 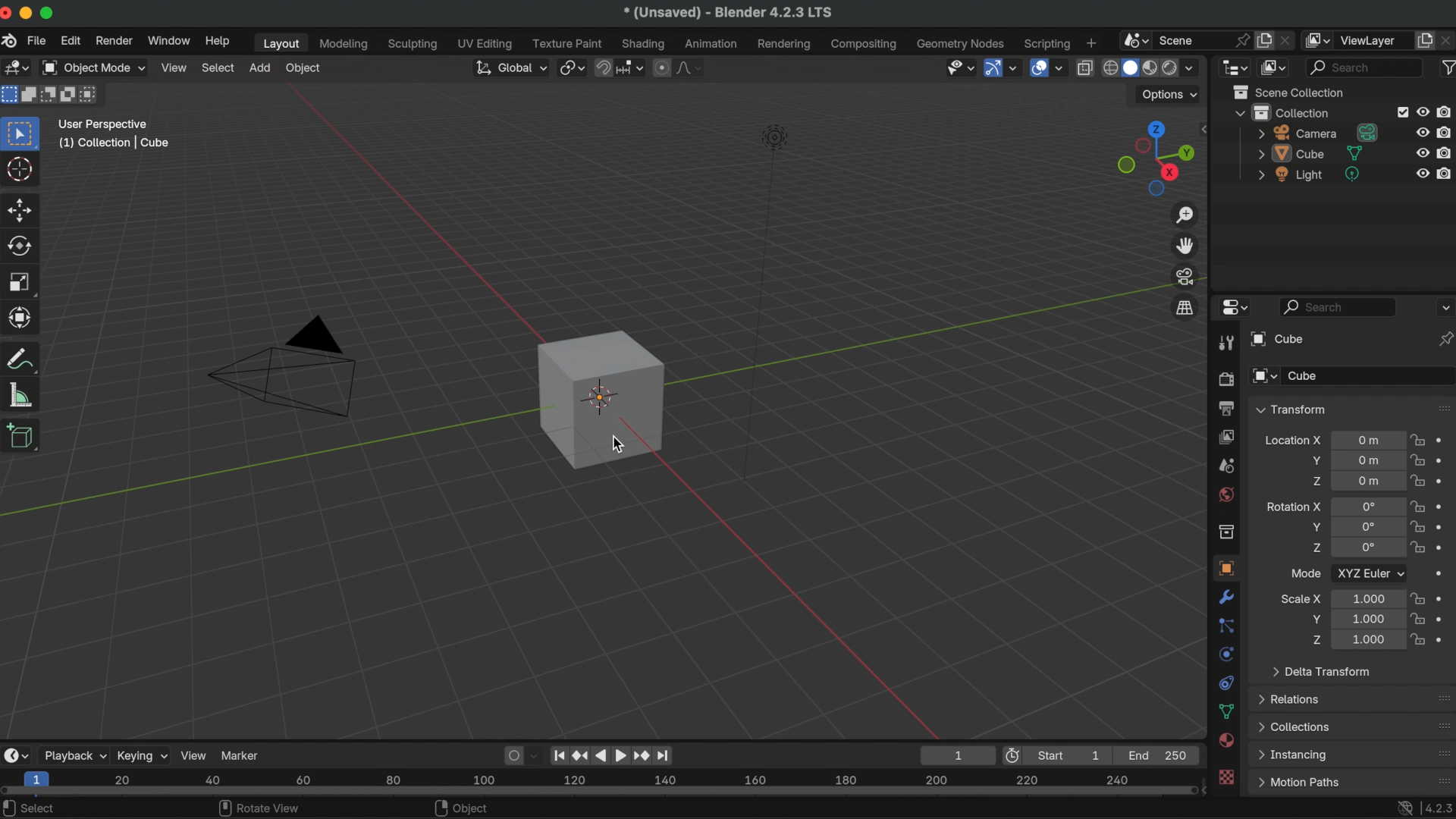 What do you see at coordinates (21, 209) in the screenshot?
I see `move` at bounding box center [21, 209].